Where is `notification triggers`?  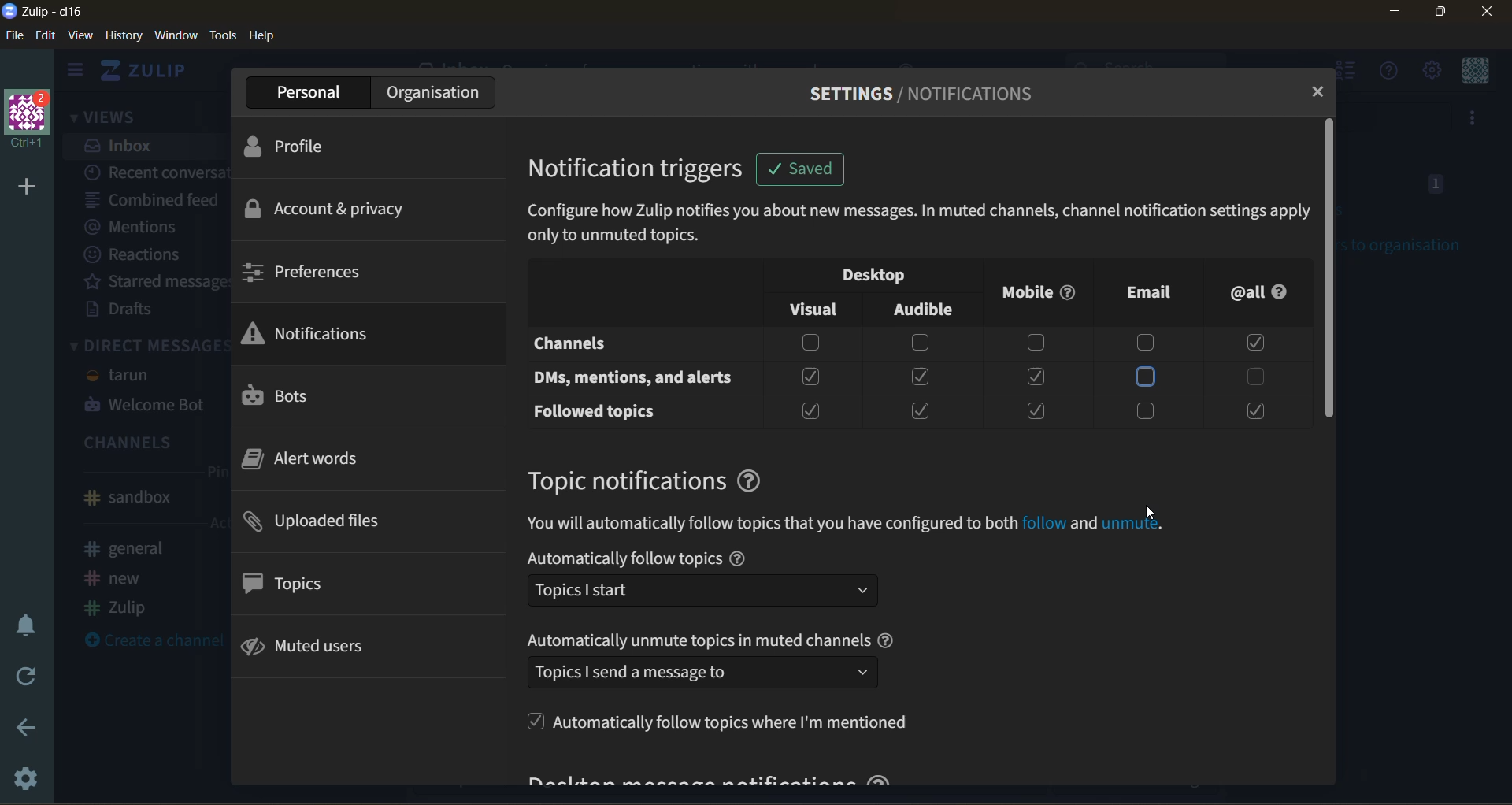 notification triggers is located at coordinates (646, 170).